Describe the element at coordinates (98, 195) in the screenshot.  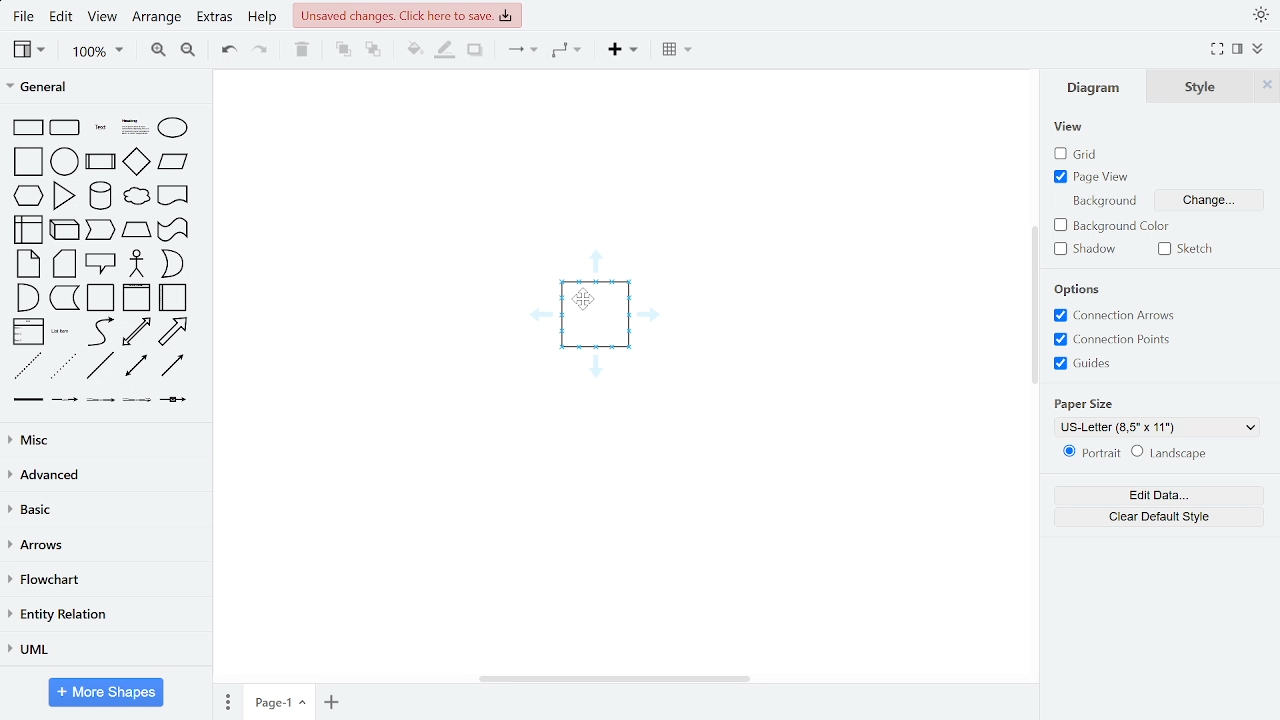
I see `general shapes` at that location.